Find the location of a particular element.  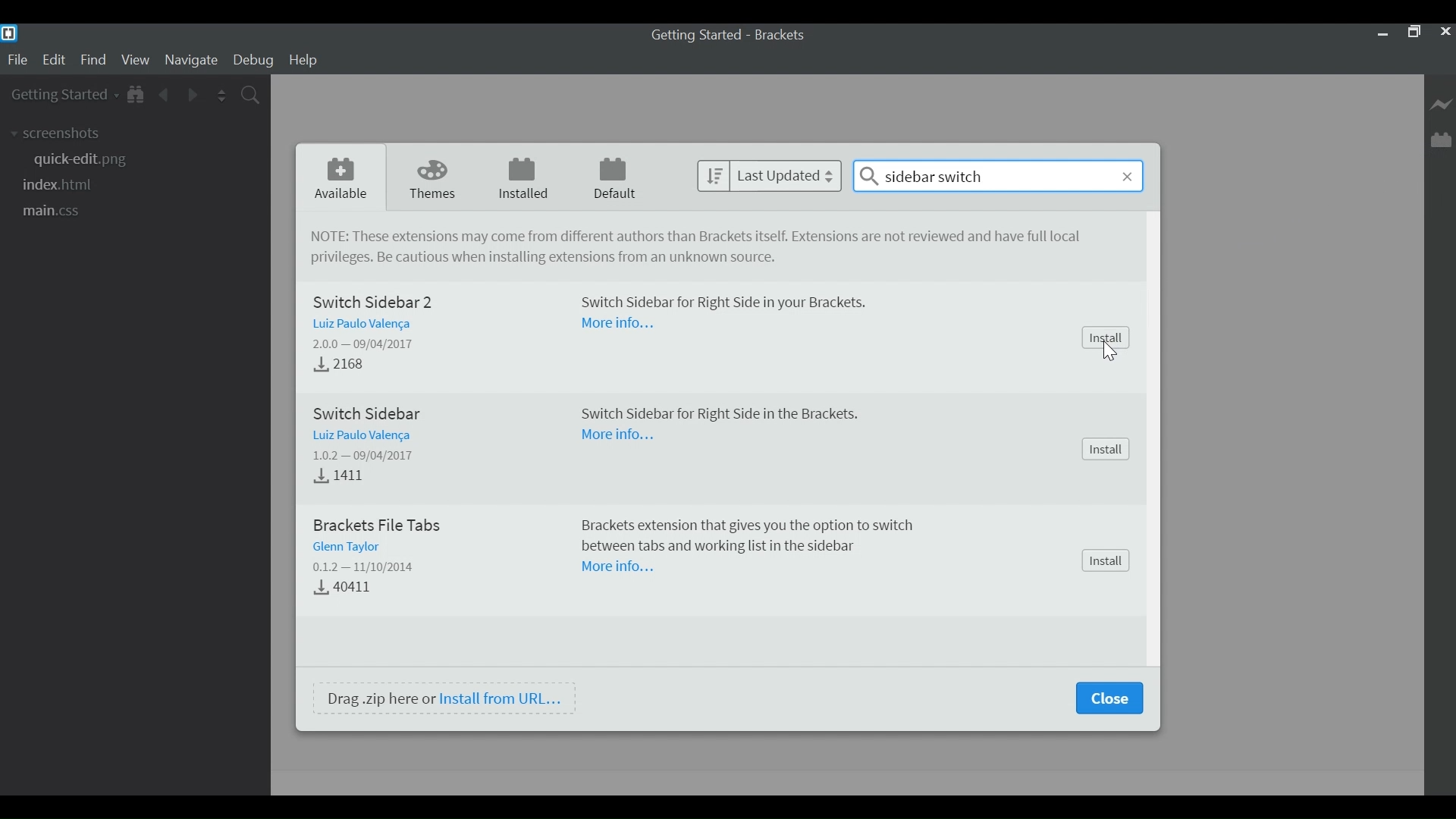

Drag .zip here or Install from URL is located at coordinates (445, 698).